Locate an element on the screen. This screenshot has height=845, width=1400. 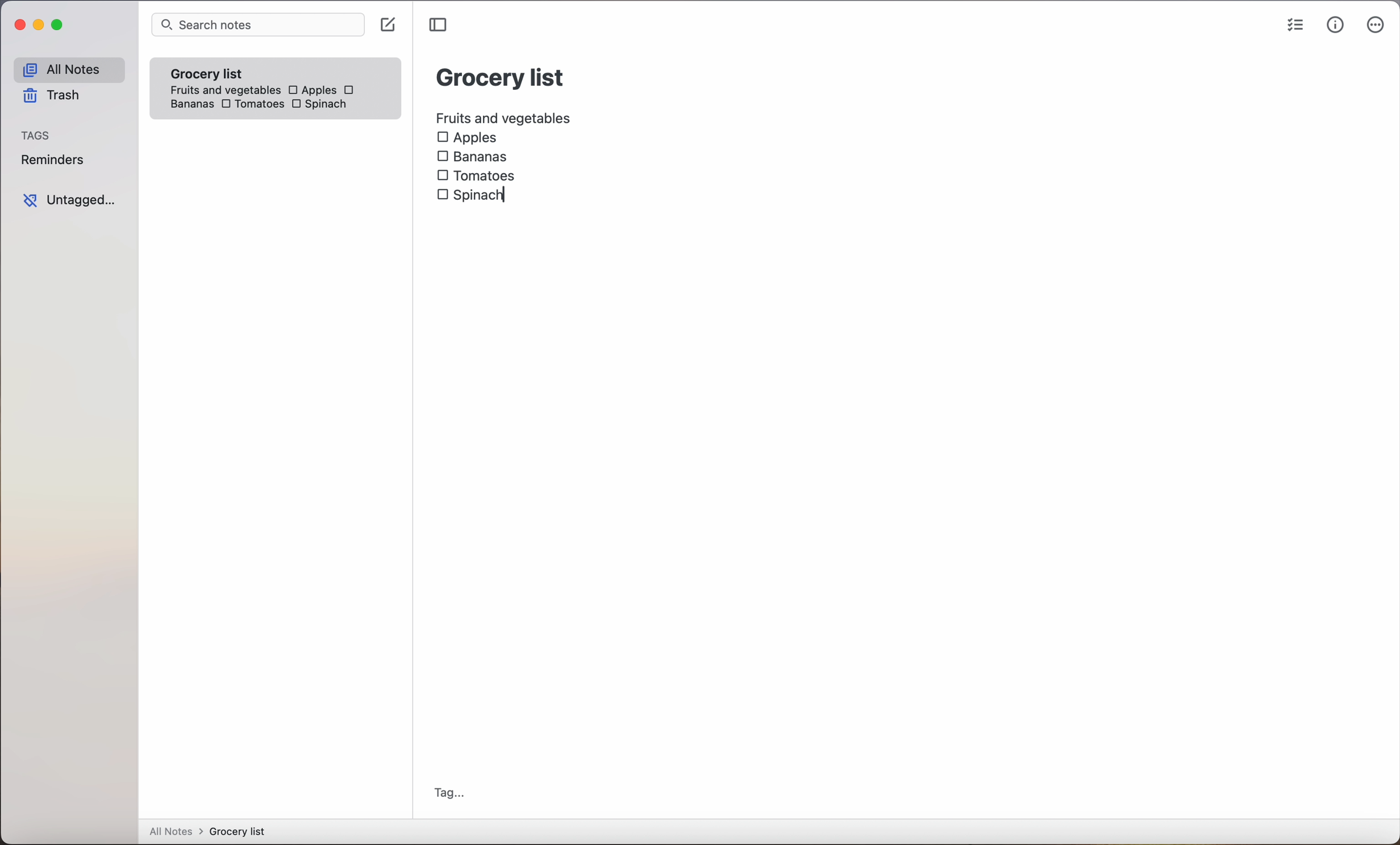
checkbox is located at coordinates (351, 90).